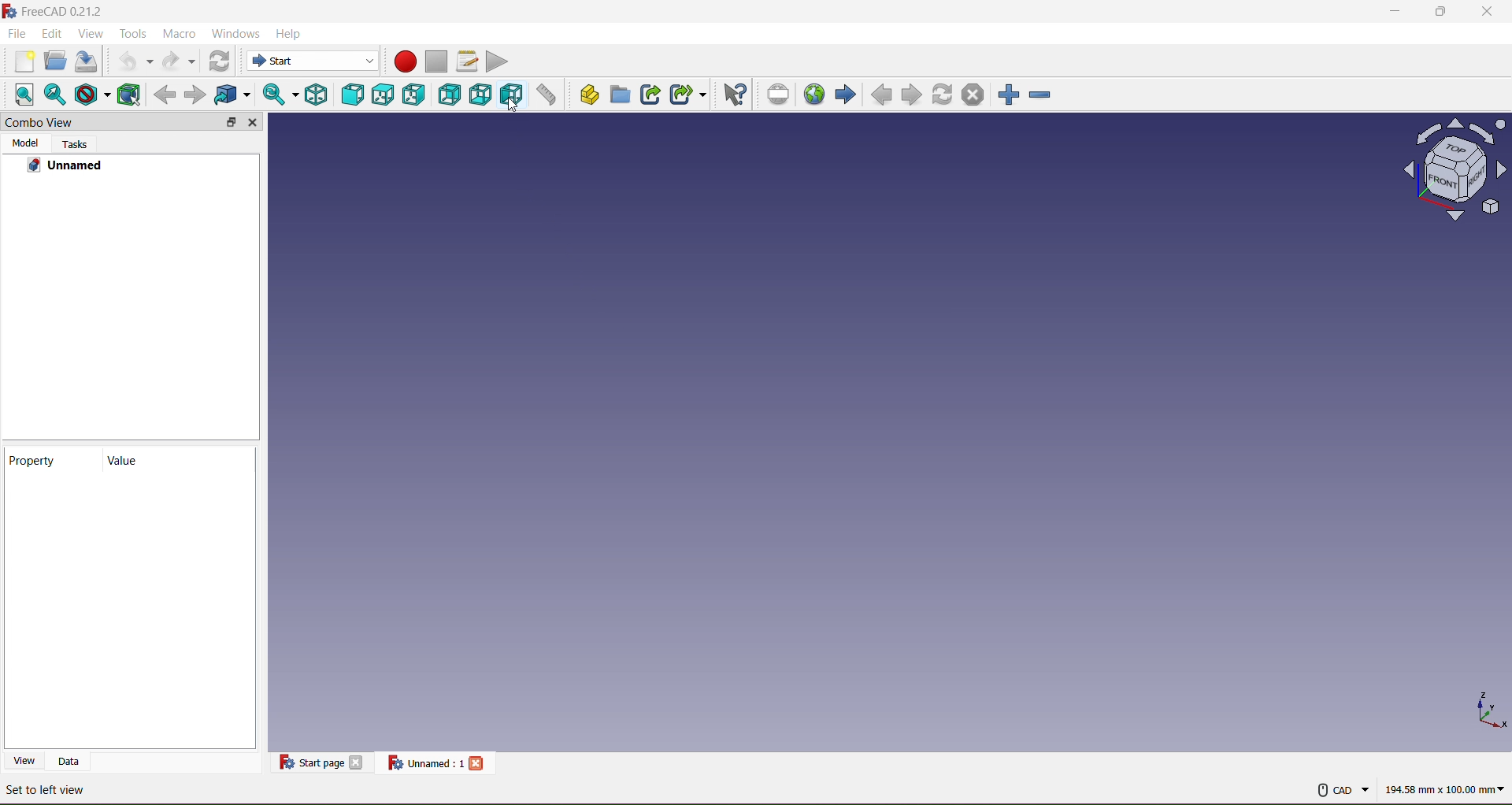  I want to click on View, so click(90, 33).